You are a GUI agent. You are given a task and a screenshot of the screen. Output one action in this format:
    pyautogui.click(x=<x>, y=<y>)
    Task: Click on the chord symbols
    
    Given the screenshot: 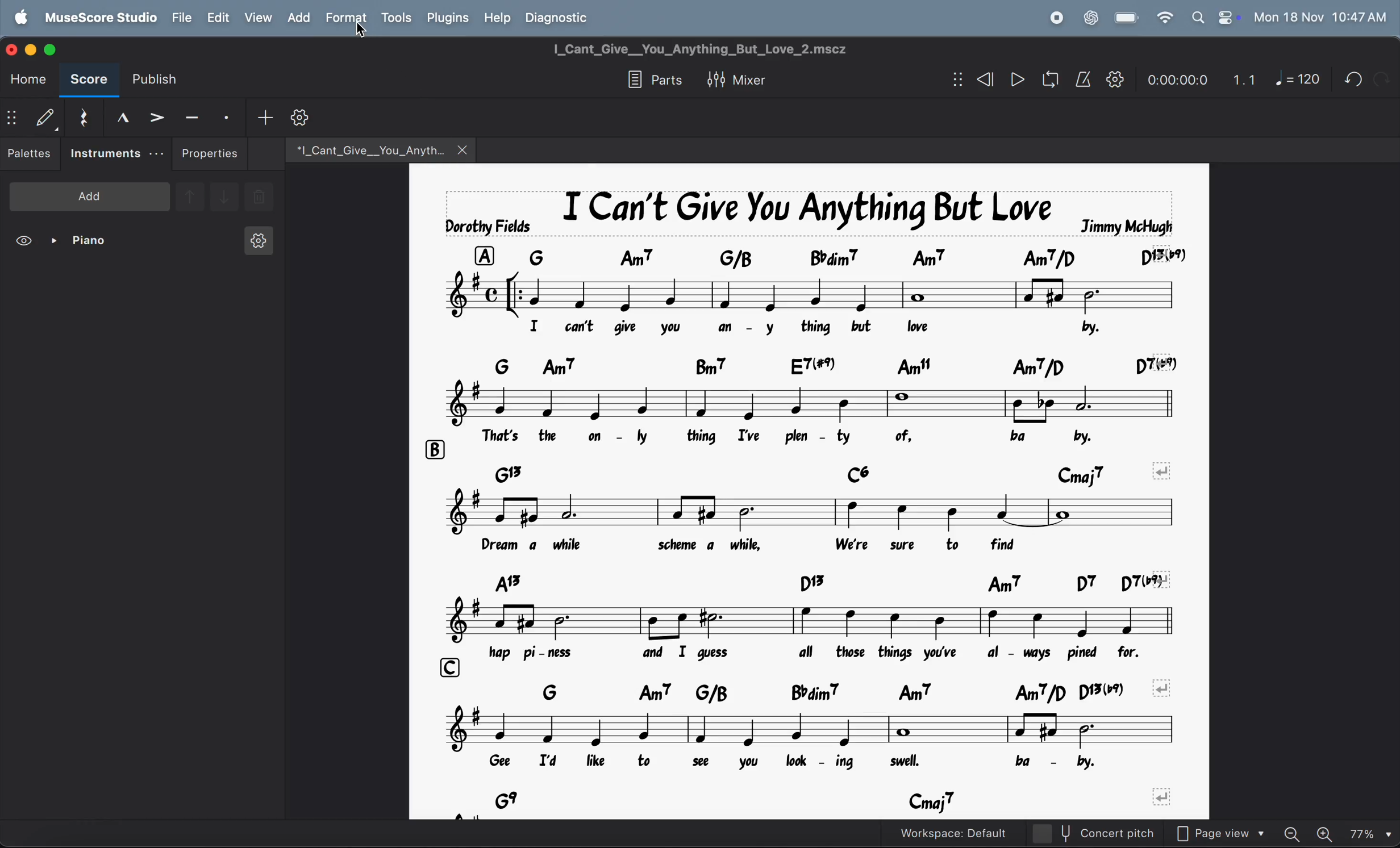 What is the action you would take?
    pyautogui.click(x=835, y=691)
    